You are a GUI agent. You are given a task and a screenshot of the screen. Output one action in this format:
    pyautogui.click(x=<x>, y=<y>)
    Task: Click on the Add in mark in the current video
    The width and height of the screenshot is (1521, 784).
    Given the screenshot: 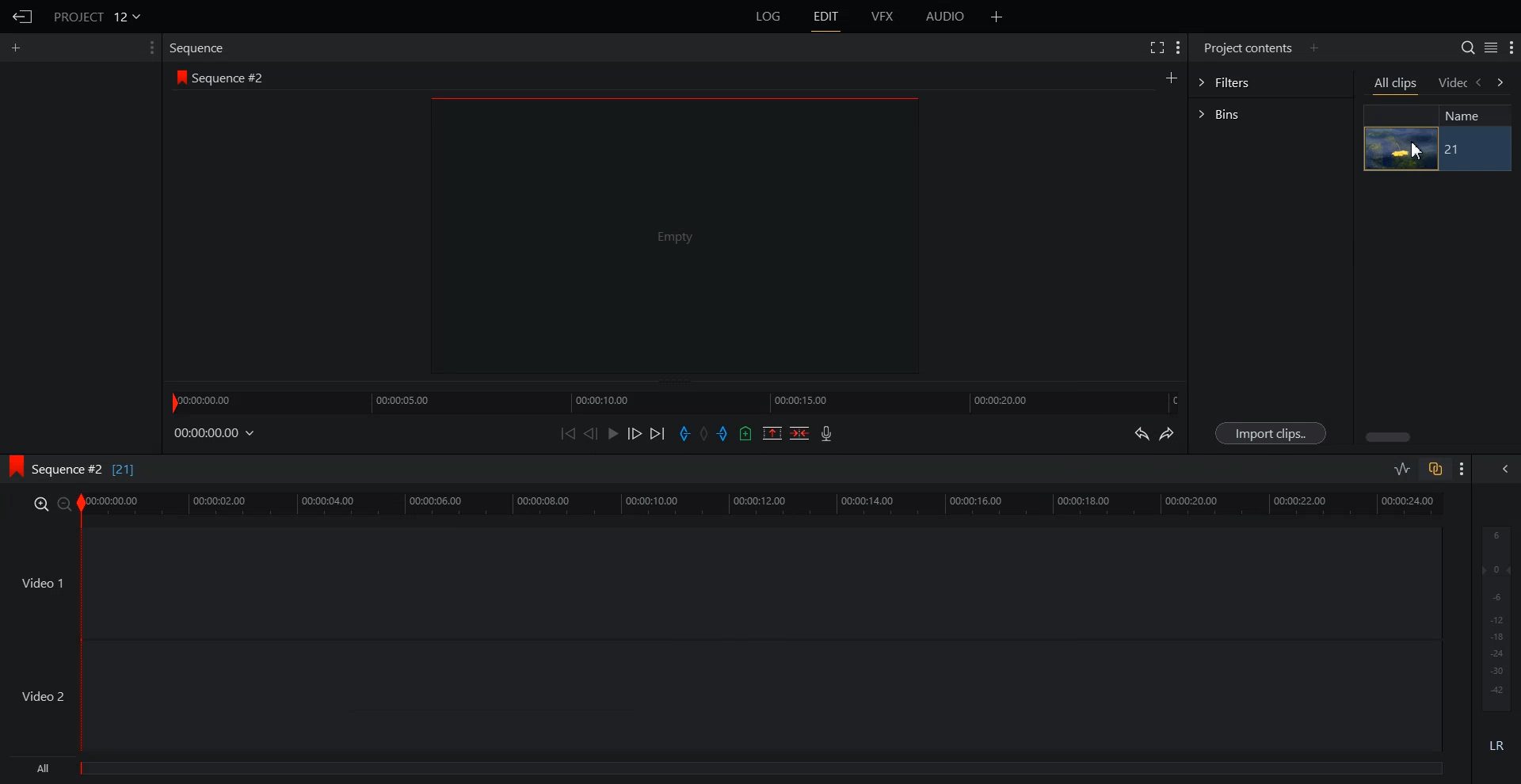 What is the action you would take?
    pyautogui.click(x=684, y=434)
    